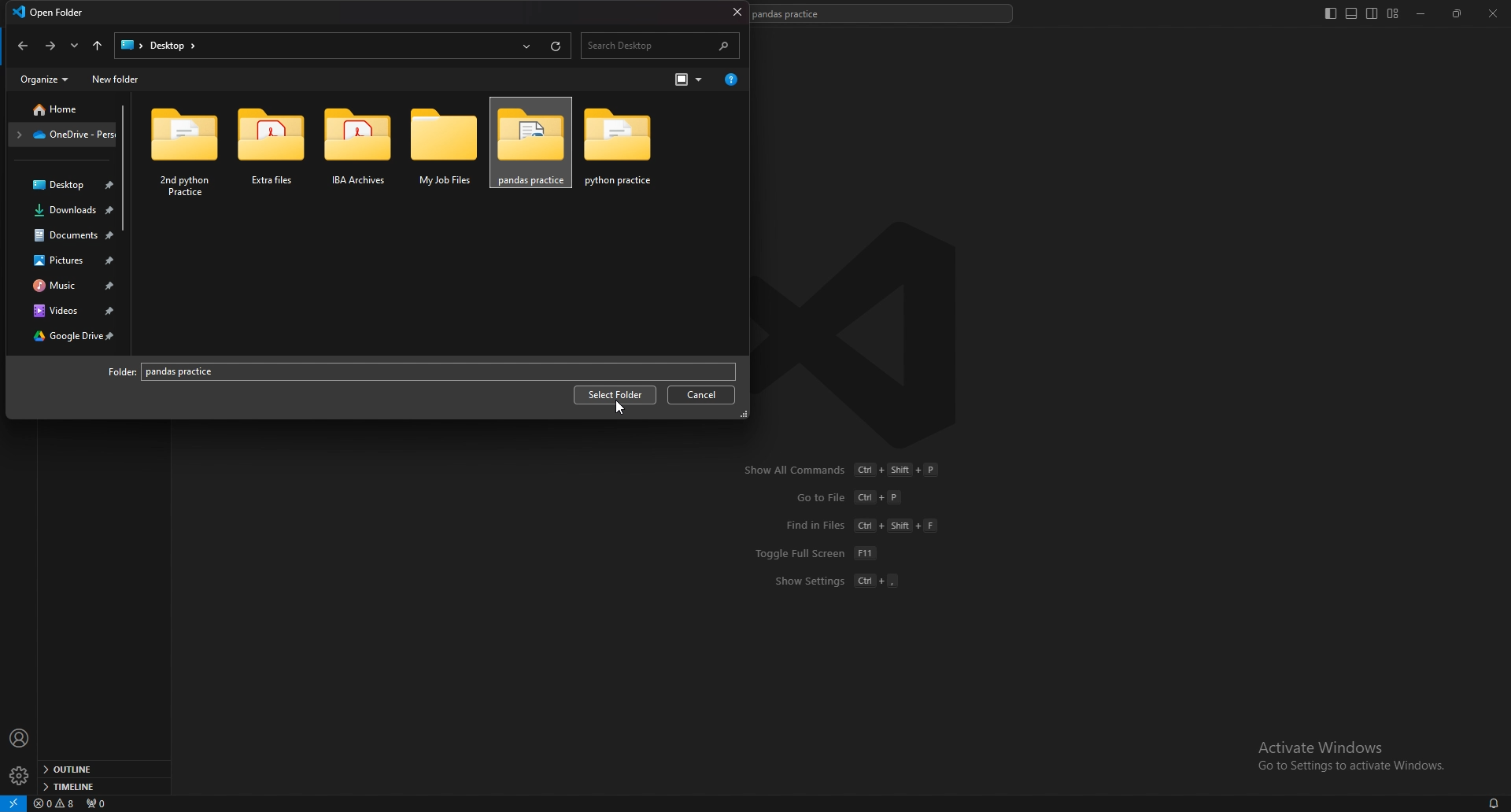 This screenshot has height=812, width=1511. What do you see at coordinates (141, 526) in the screenshot?
I see `exit` at bounding box center [141, 526].